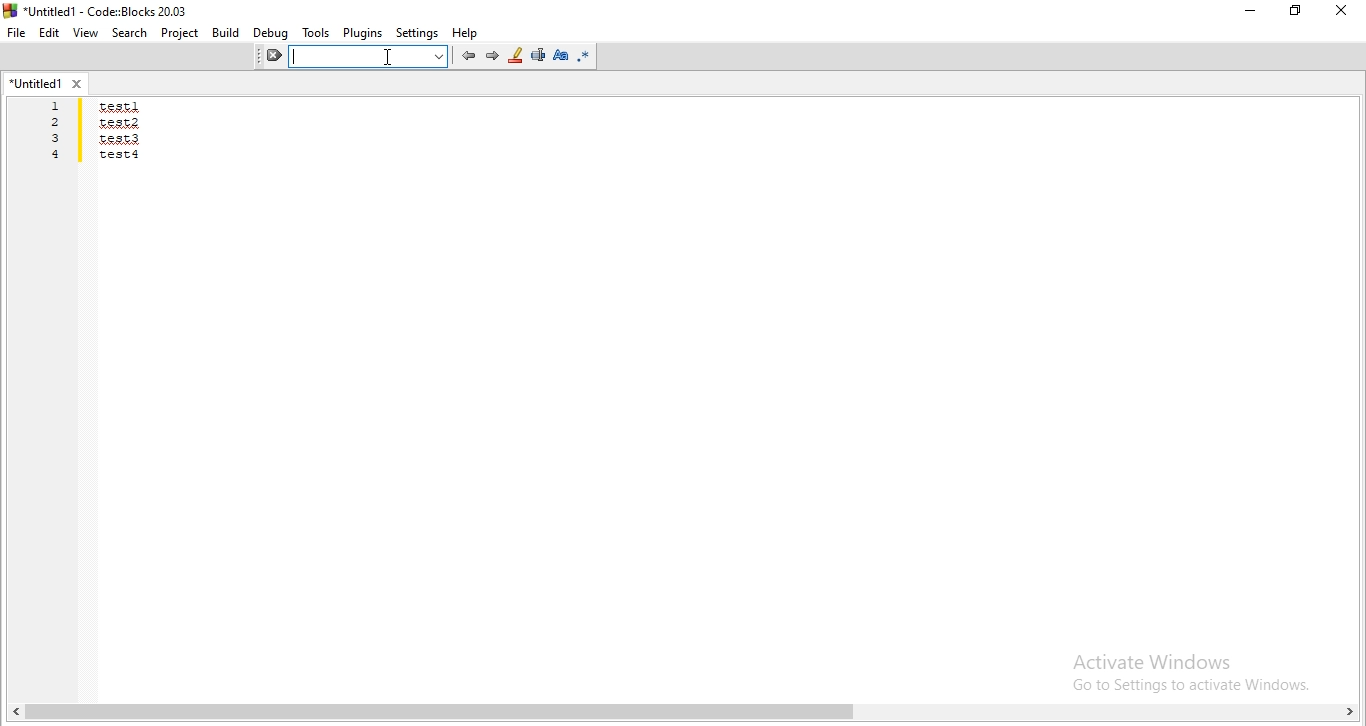 This screenshot has width=1366, height=726. Describe the element at coordinates (106, 12) in the screenshot. I see `*Untitled1 - Code:Blocks 20.03` at that location.